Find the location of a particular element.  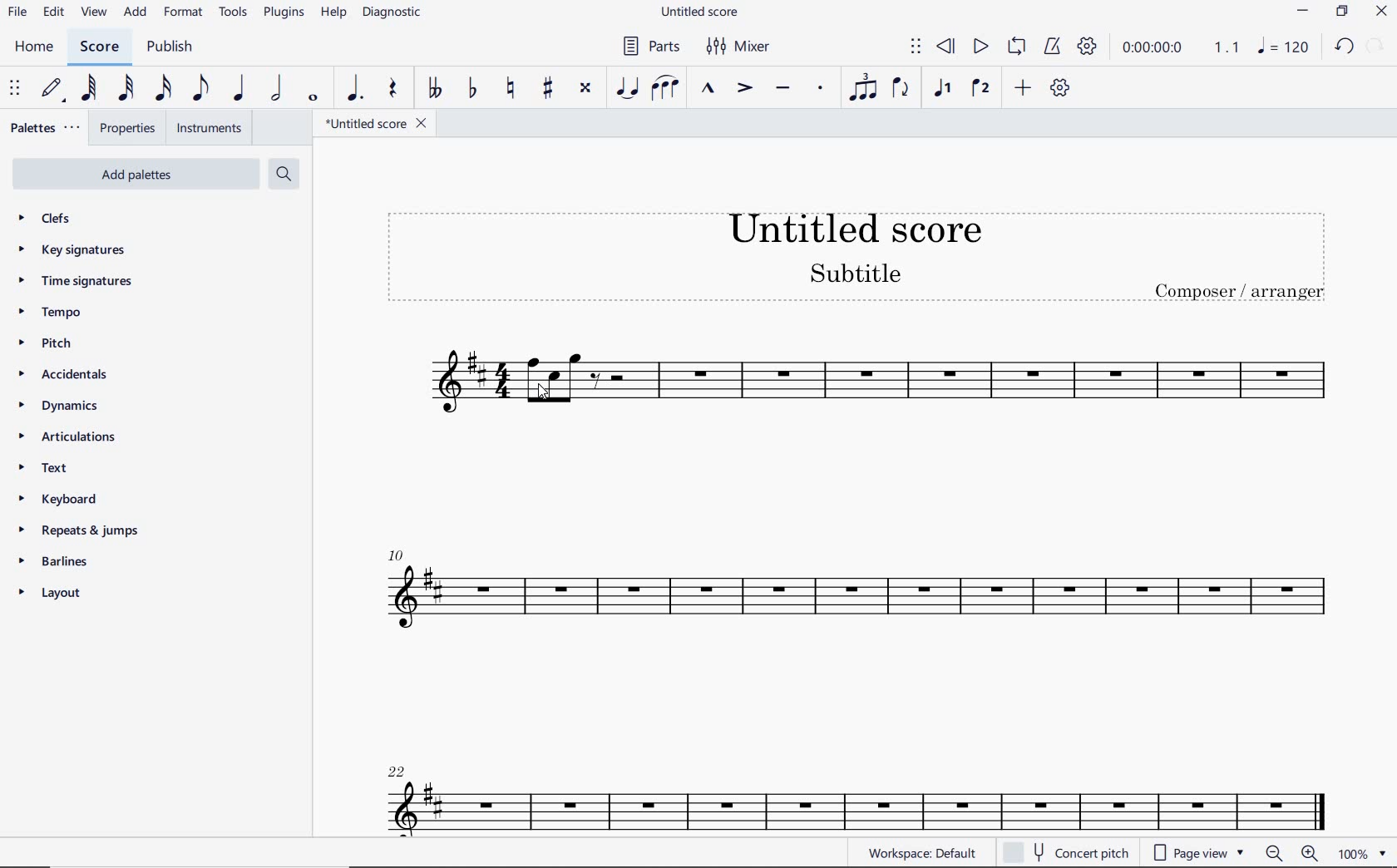

PALETTES is located at coordinates (45, 130).